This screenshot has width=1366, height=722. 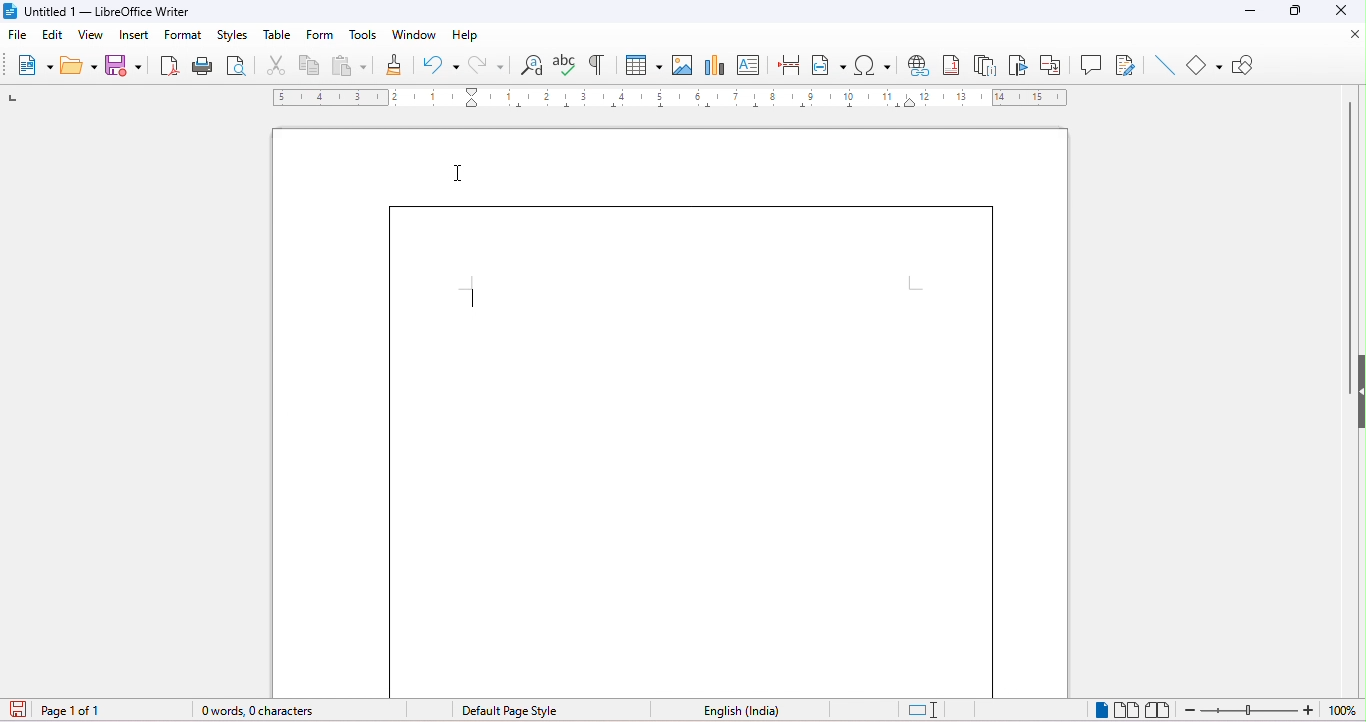 What do you see at coordinates (952, 69) in the screenshot?
I see `footnote` at bounding box center [952, 69].